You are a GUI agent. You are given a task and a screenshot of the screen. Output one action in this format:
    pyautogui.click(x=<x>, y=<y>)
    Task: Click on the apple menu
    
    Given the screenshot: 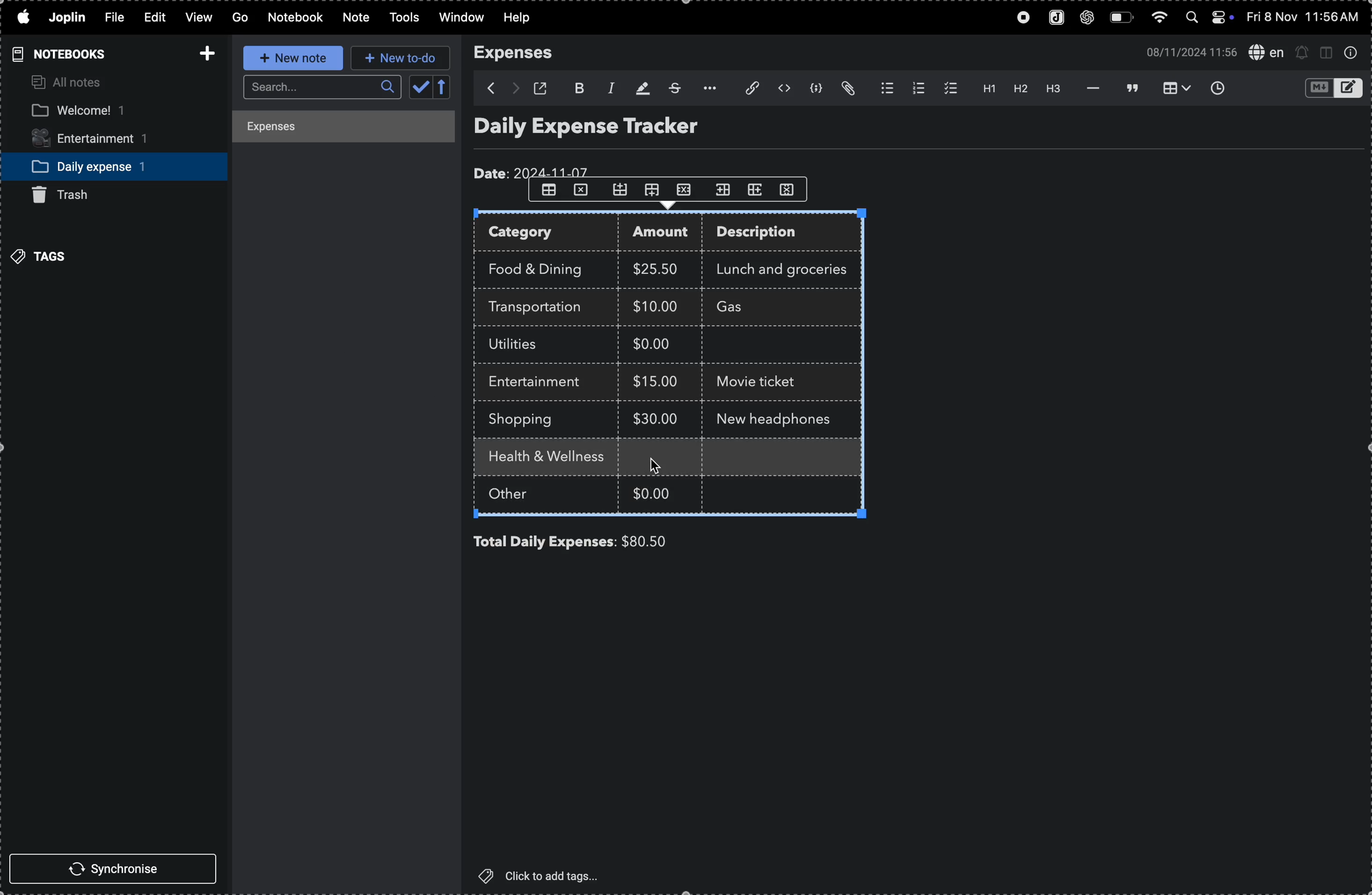 What is the action you would take?
    pyautogui.click(x=22, y=18)
    